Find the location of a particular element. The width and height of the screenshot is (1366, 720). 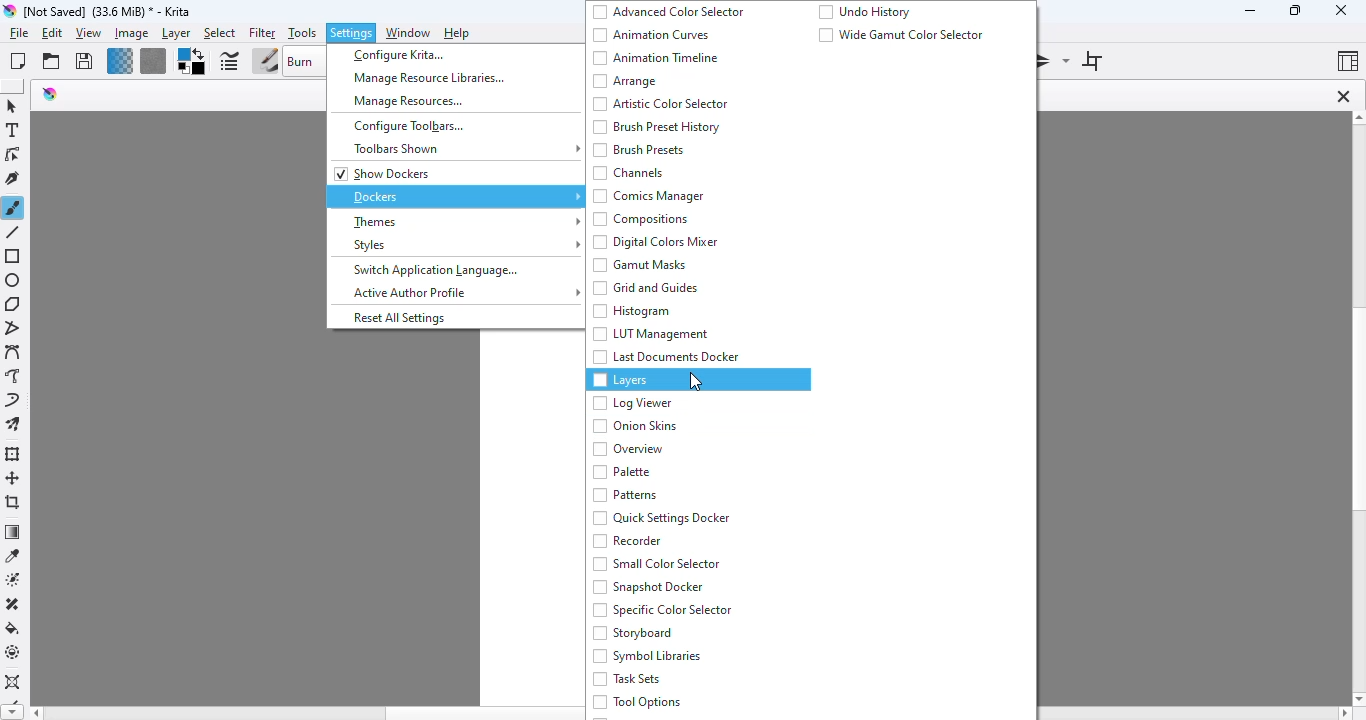

arrange is located at coordinates (625, 81).